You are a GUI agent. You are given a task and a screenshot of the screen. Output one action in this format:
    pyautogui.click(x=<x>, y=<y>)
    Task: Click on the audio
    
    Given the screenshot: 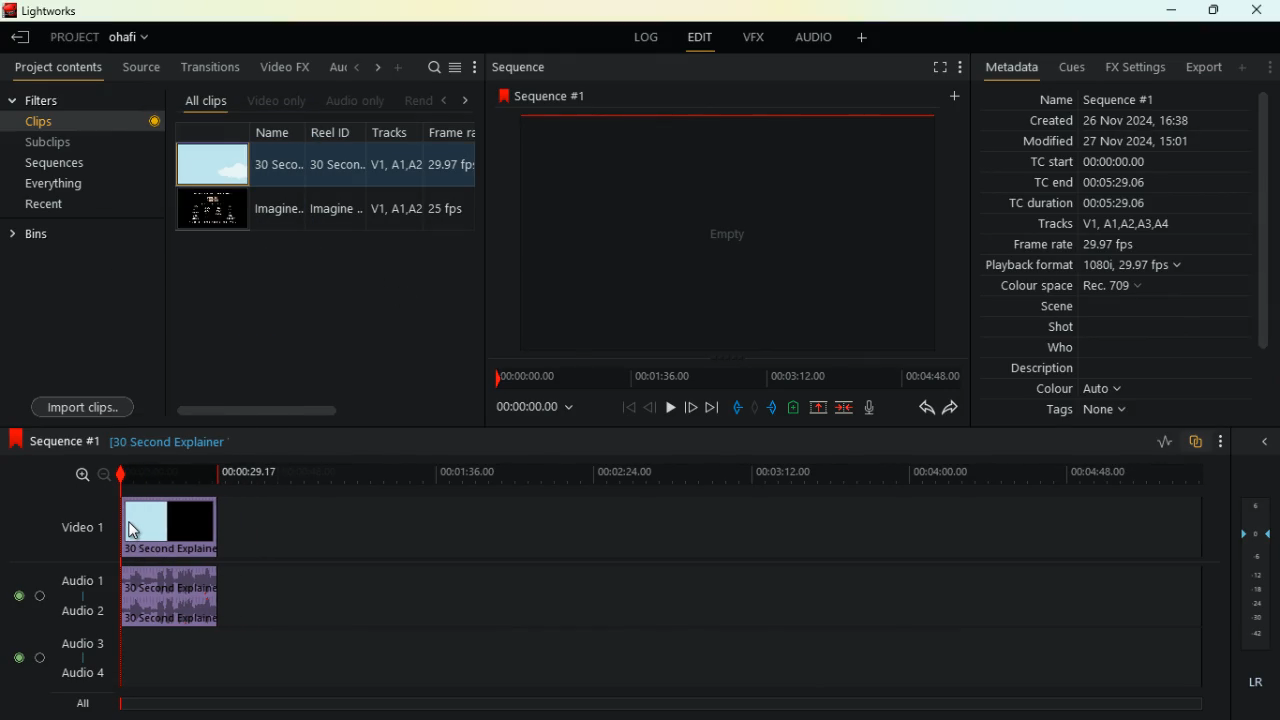 What is the action you would take?
    pyautogui.click(x=808, y=37)
    